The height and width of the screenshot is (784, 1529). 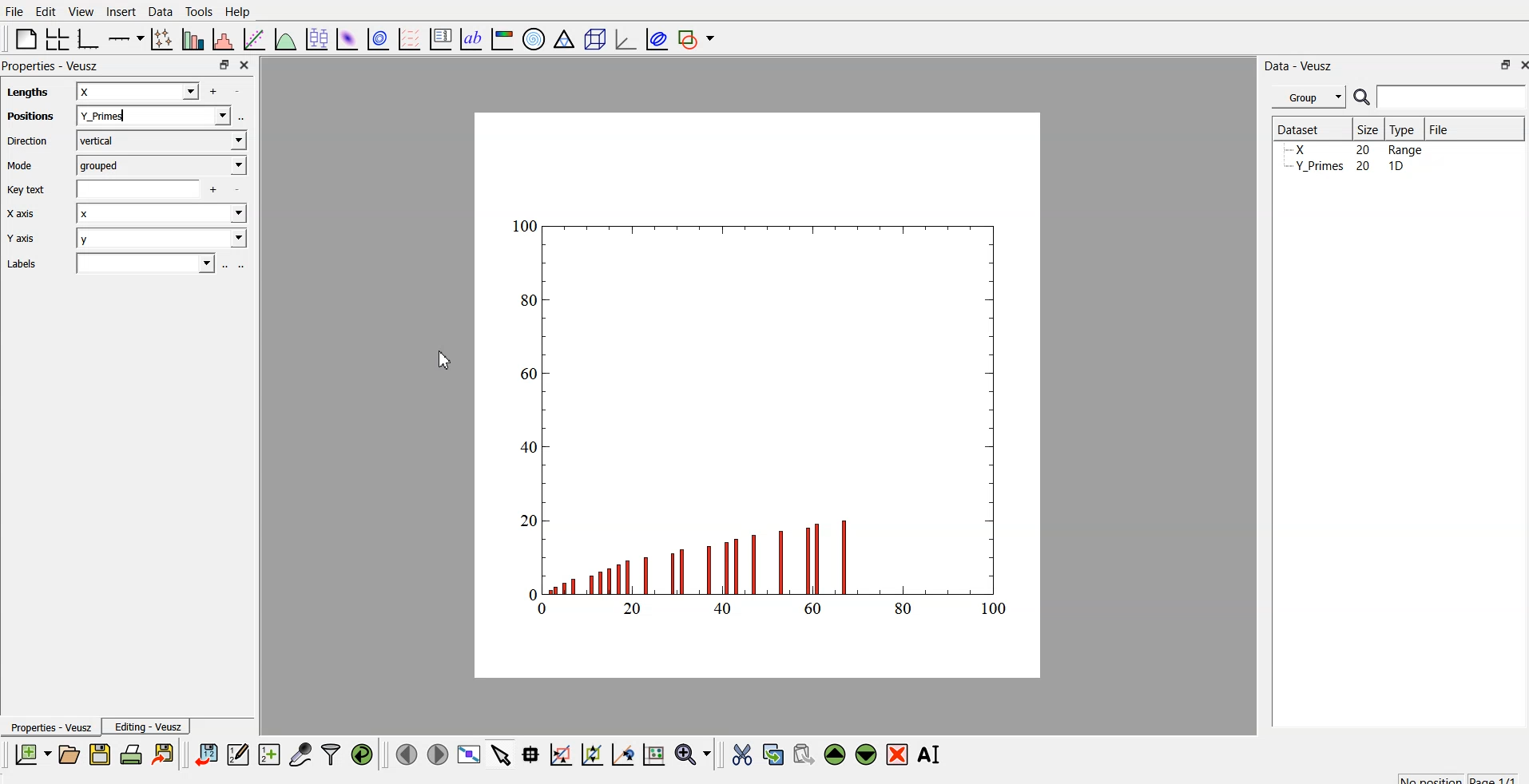 What do you see at coordinates (529, 754) in the screenshot?
I see `read datapoint on graph` at bounding box center [529, 754].